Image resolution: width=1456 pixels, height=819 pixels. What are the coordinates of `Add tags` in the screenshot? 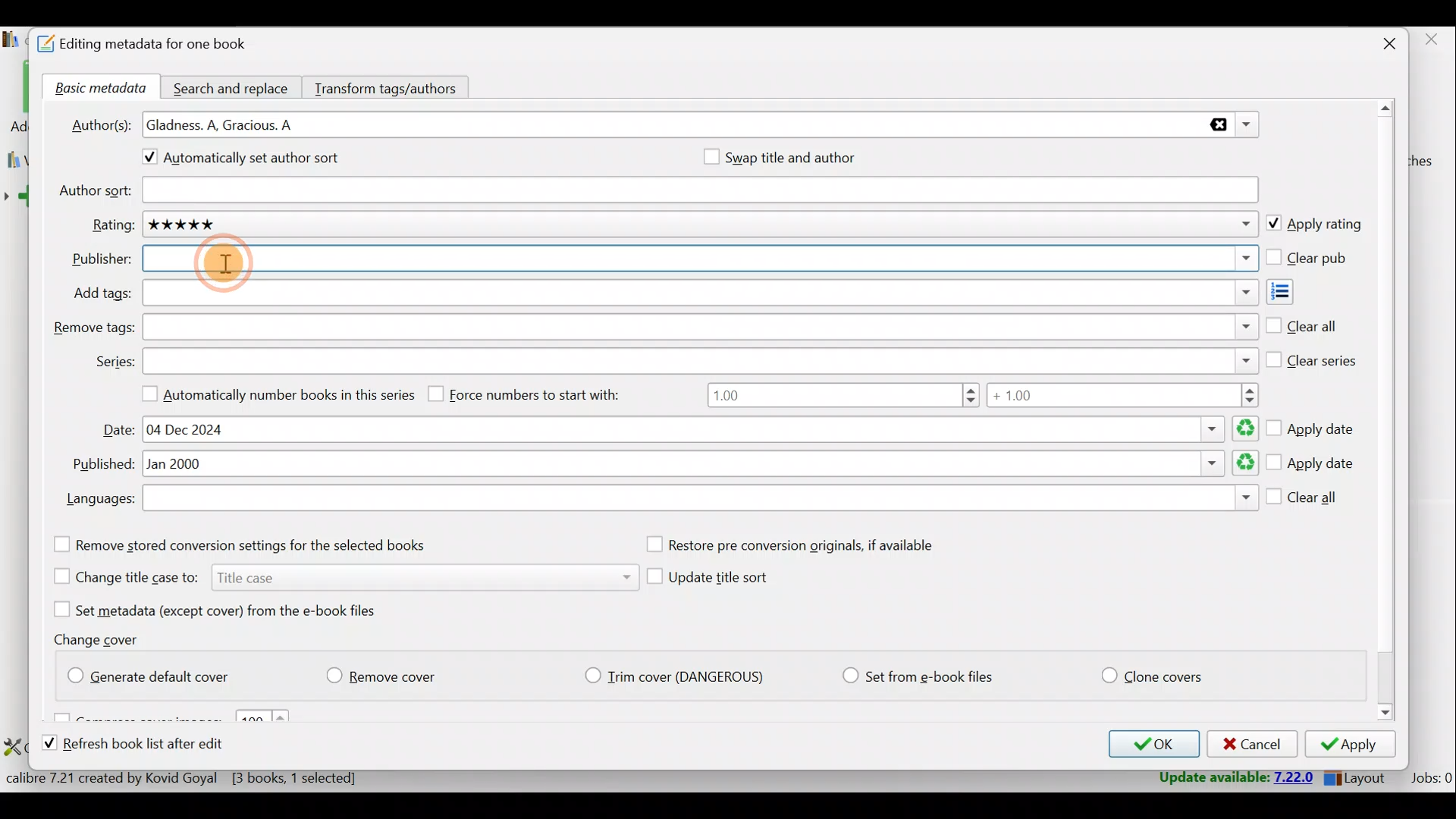 It's located at (698, 293).